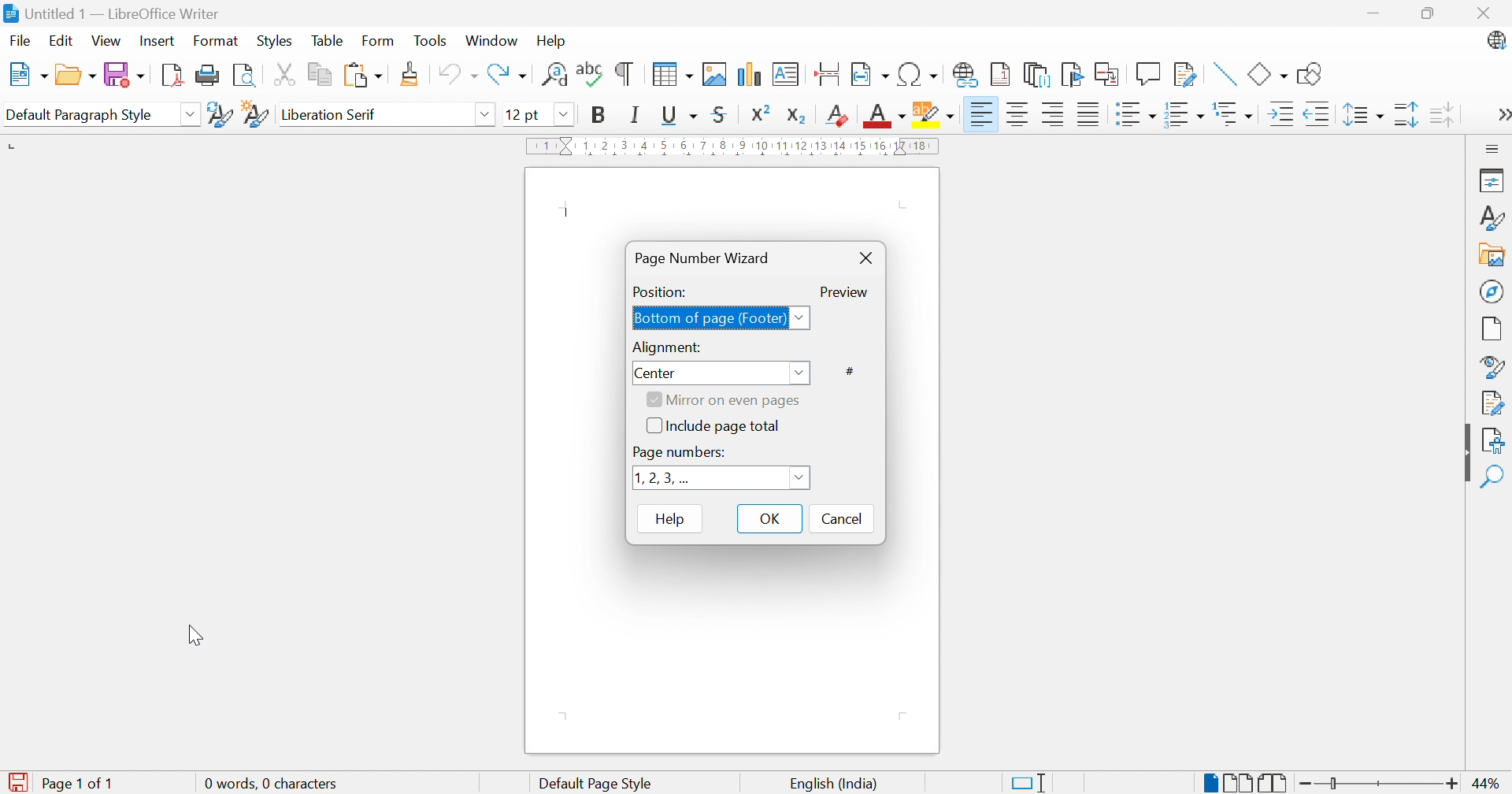  What do you see at coordinates (802, 318) in the screenshot?
I see `Drop down` at bounding box center [802, 318].